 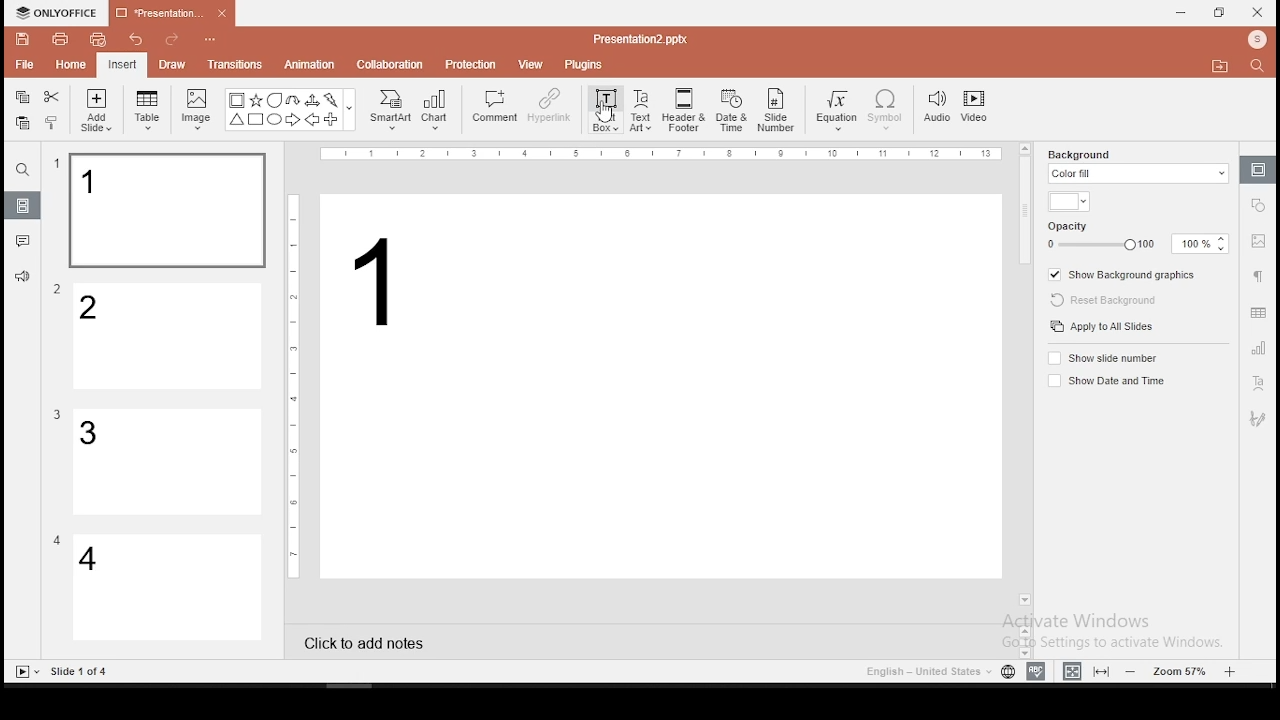 What do you see at coordinates (22, 279) in the screenshot?
I see `support and feedback` at bounding box center [22, 279].